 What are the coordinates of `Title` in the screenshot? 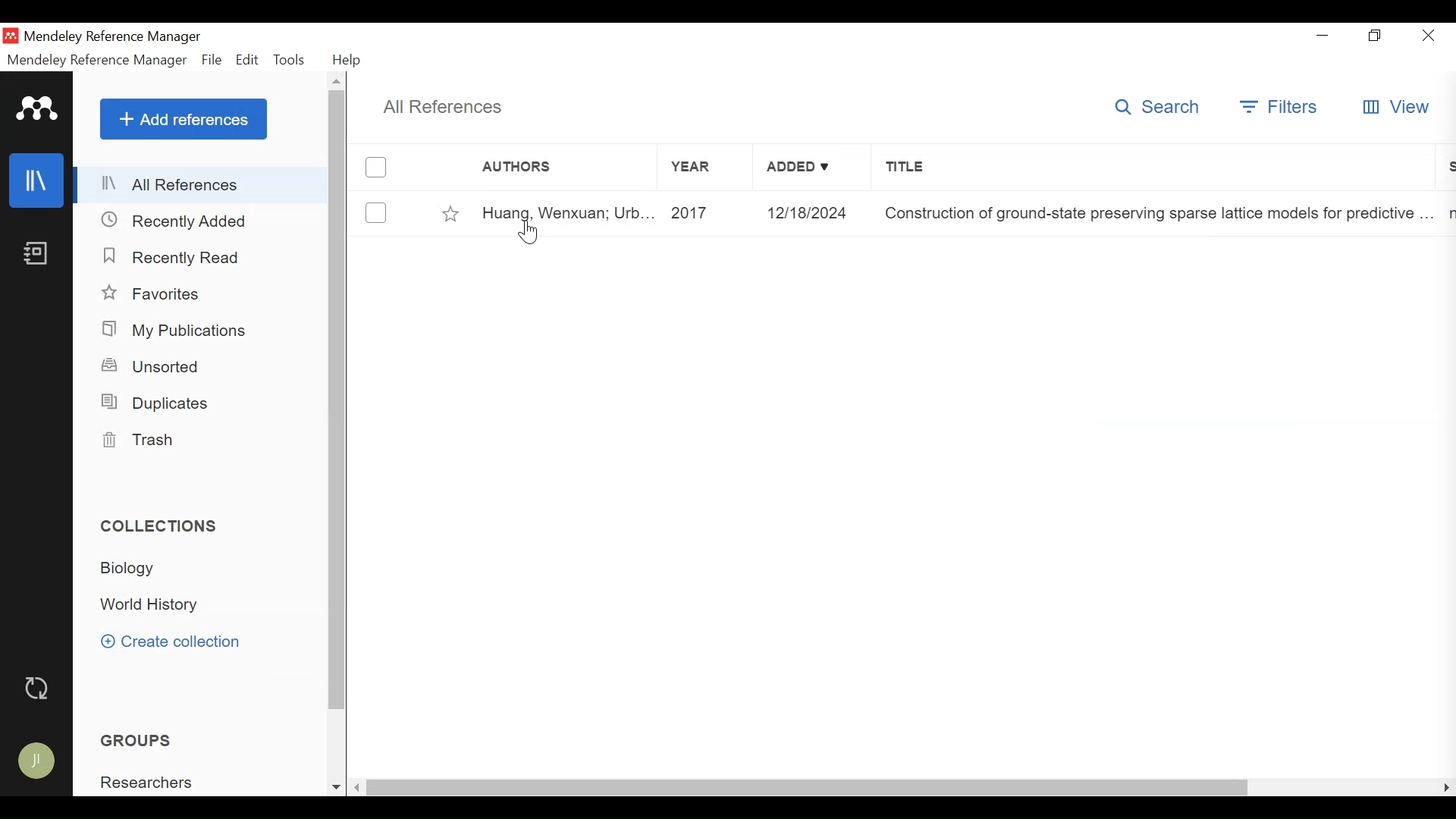 It's located at (1156, 215).